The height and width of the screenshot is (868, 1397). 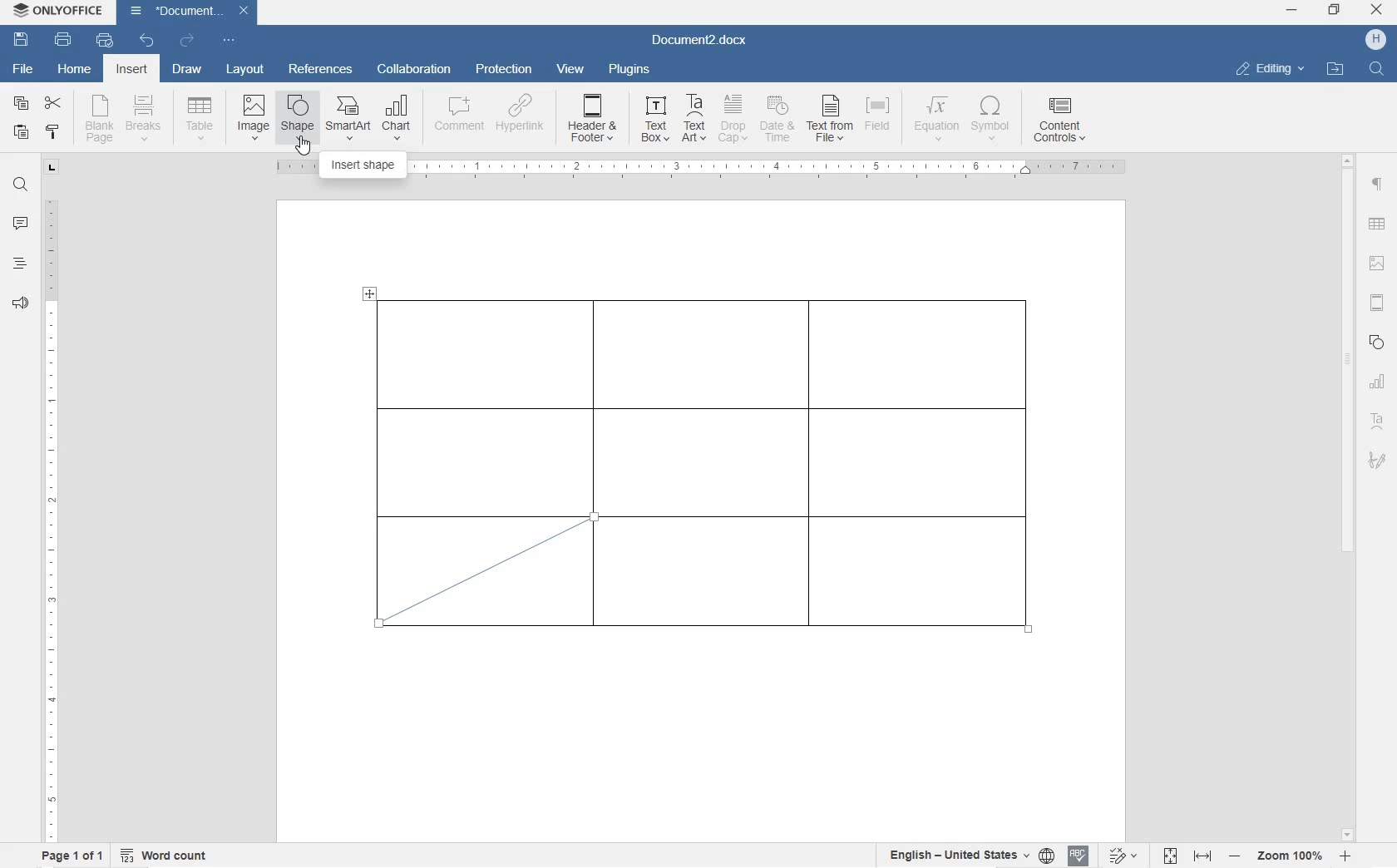 I want to click on EQUATION, so click(x=937, y=119).